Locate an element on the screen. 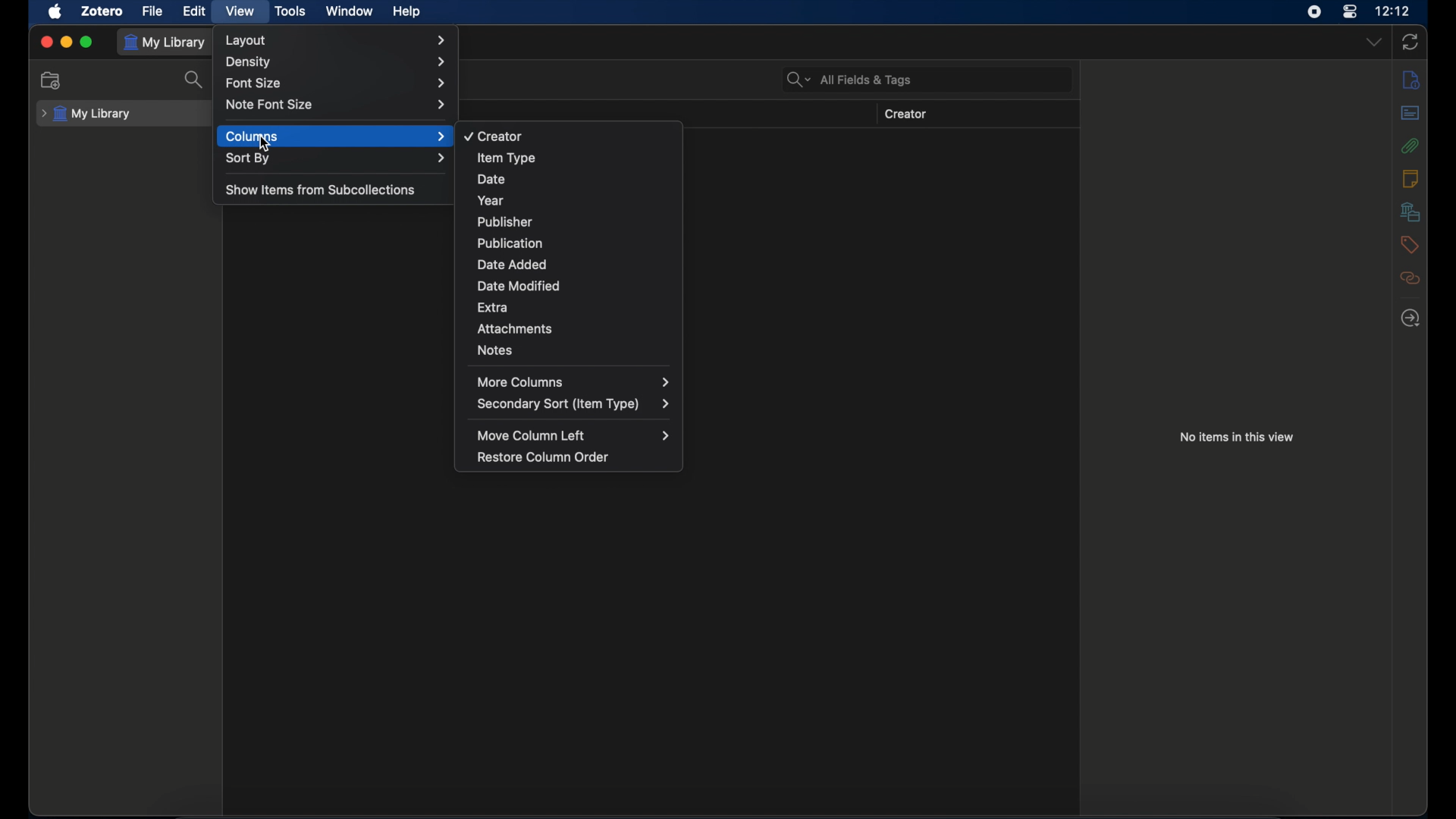 The height and width of the screenshot is (819, 1456). libraries is located at coordinates (1411, 212).